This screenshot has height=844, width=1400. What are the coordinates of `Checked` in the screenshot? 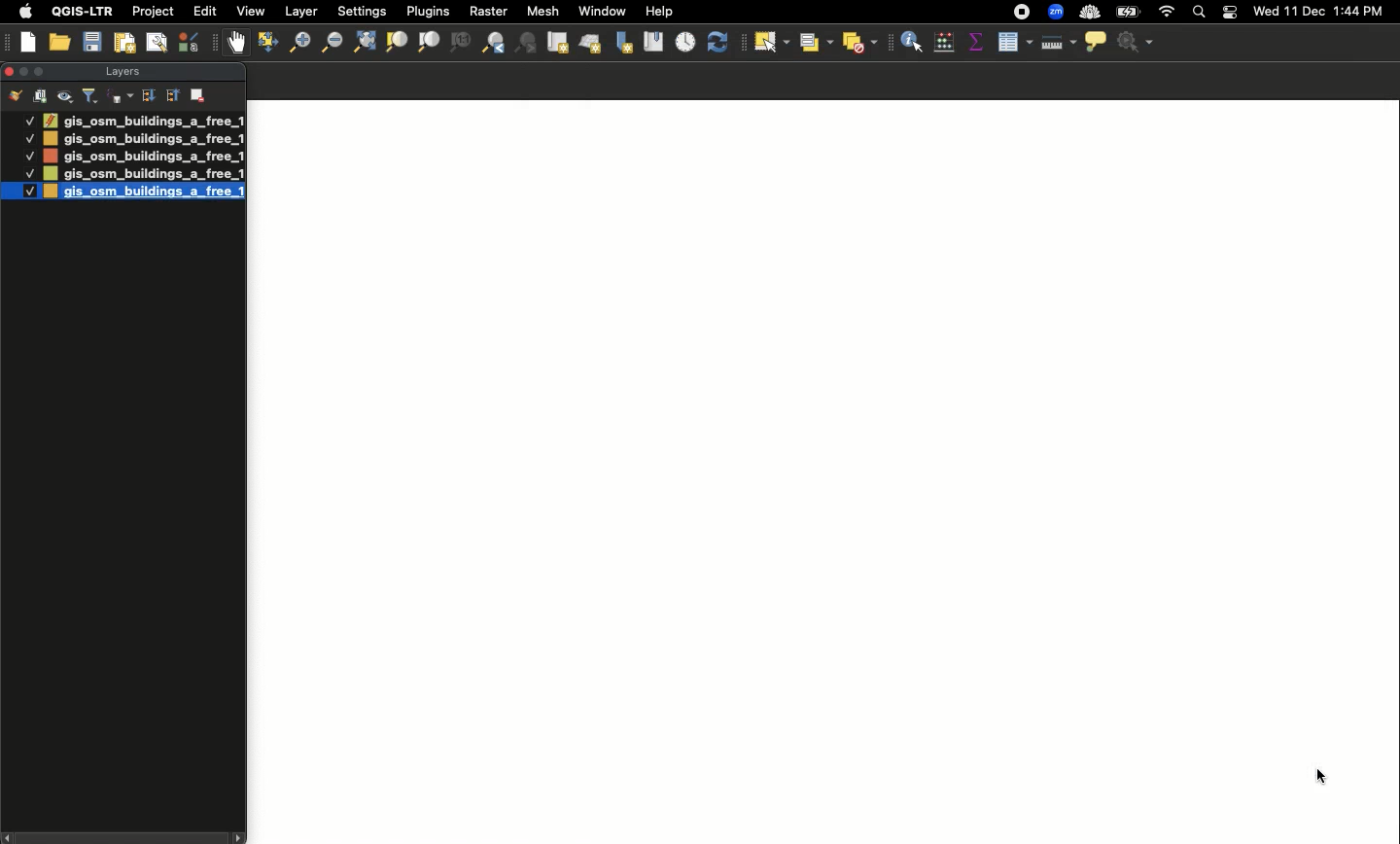 It's located at (27, 173).